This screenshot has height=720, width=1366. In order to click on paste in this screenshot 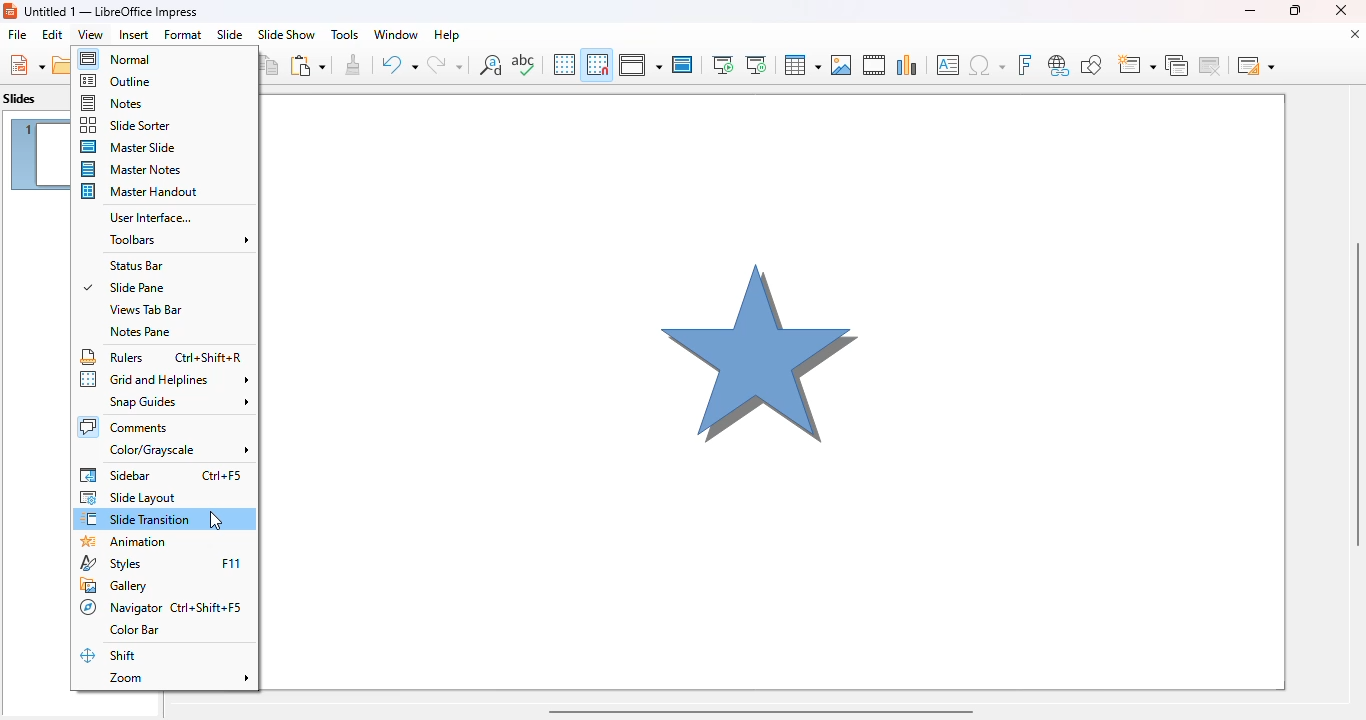, I will do `click(307, 65)`.